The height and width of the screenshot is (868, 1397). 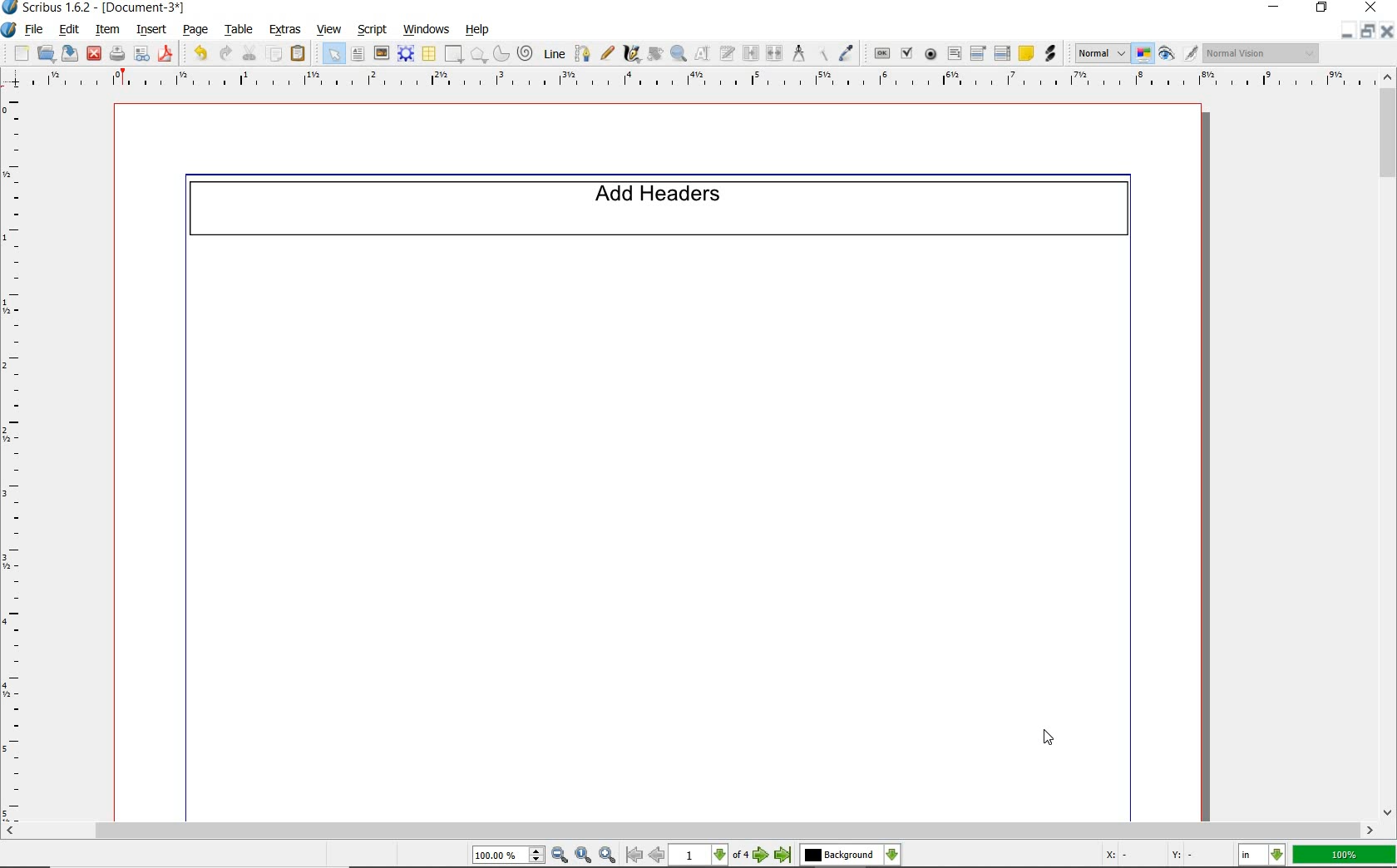 What do you see at coordinates (711, 856) in the screenshot?
I see `select current page` at bounding box center [711, 856].